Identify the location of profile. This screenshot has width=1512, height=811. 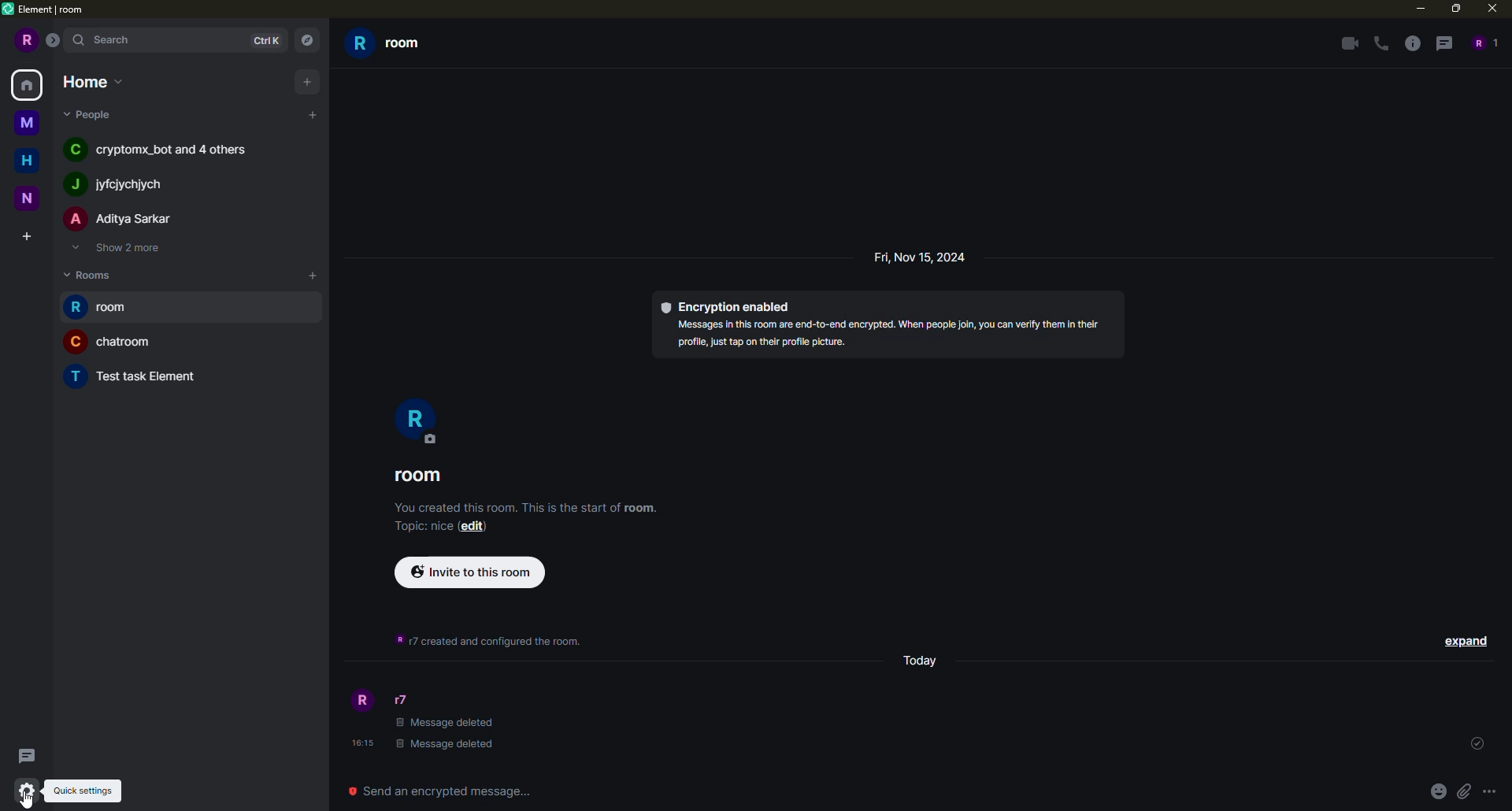
(413, 420).